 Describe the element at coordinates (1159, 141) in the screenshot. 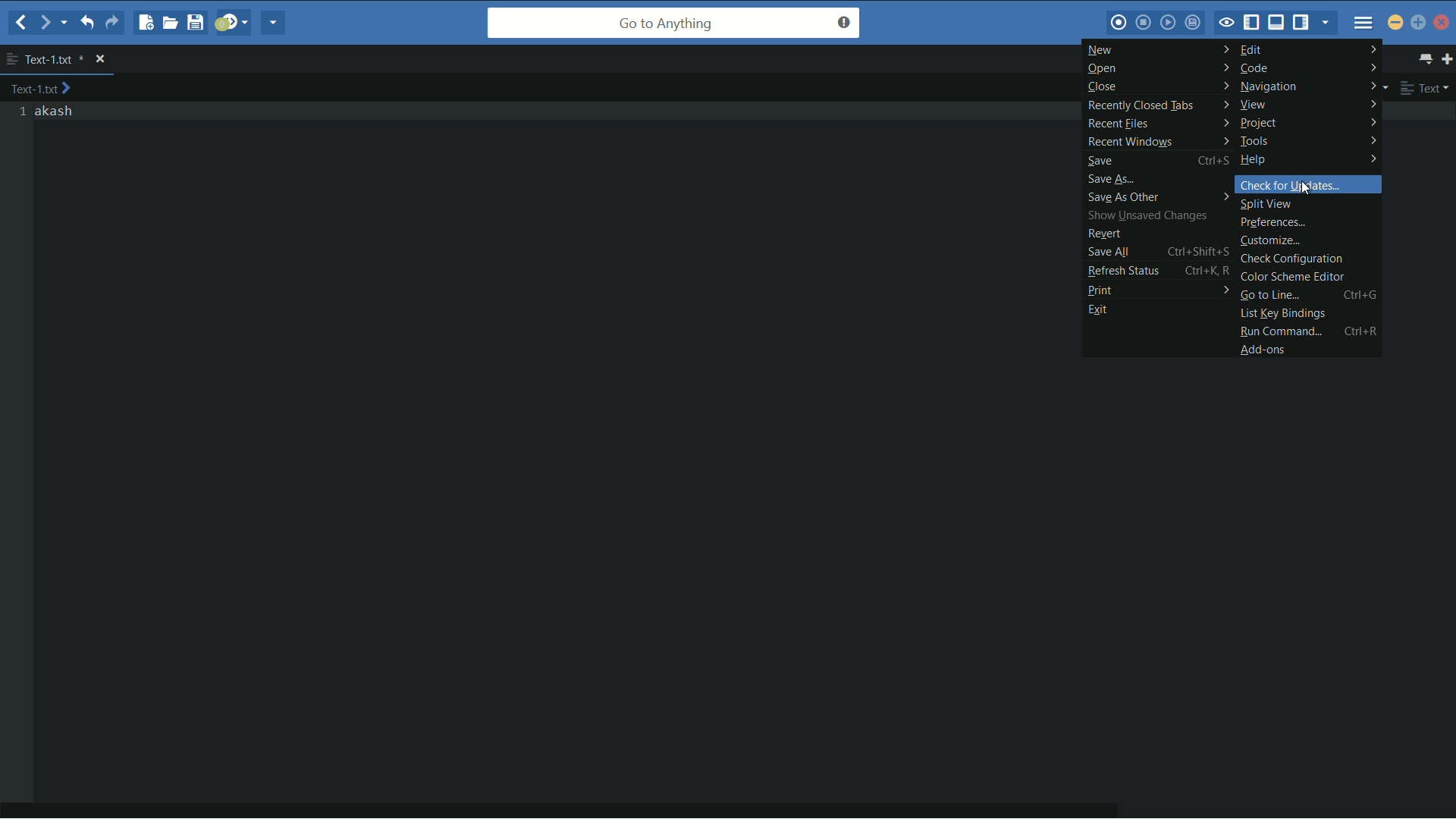

I see `recent windows` at that location.